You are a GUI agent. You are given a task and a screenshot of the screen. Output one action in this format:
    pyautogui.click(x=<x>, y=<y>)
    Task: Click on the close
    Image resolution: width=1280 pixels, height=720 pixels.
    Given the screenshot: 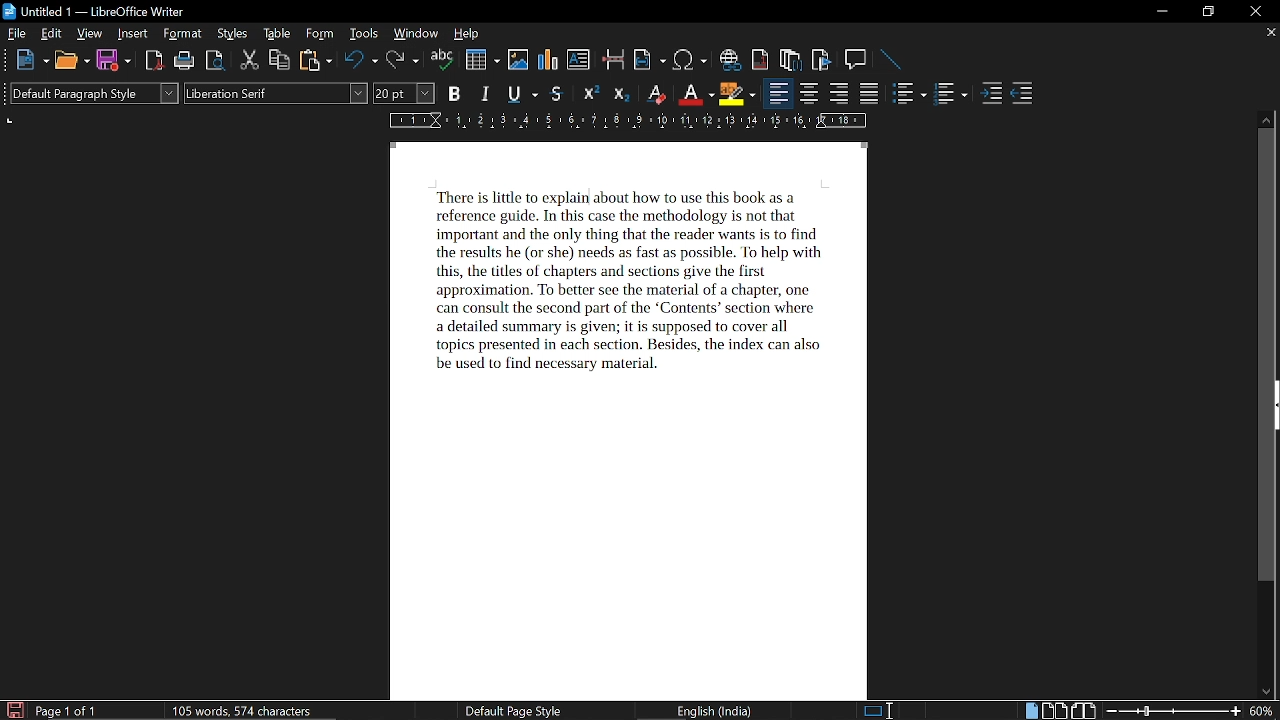 What is the action you would take?
    pyautogui.click(x=1253, y=12)
    